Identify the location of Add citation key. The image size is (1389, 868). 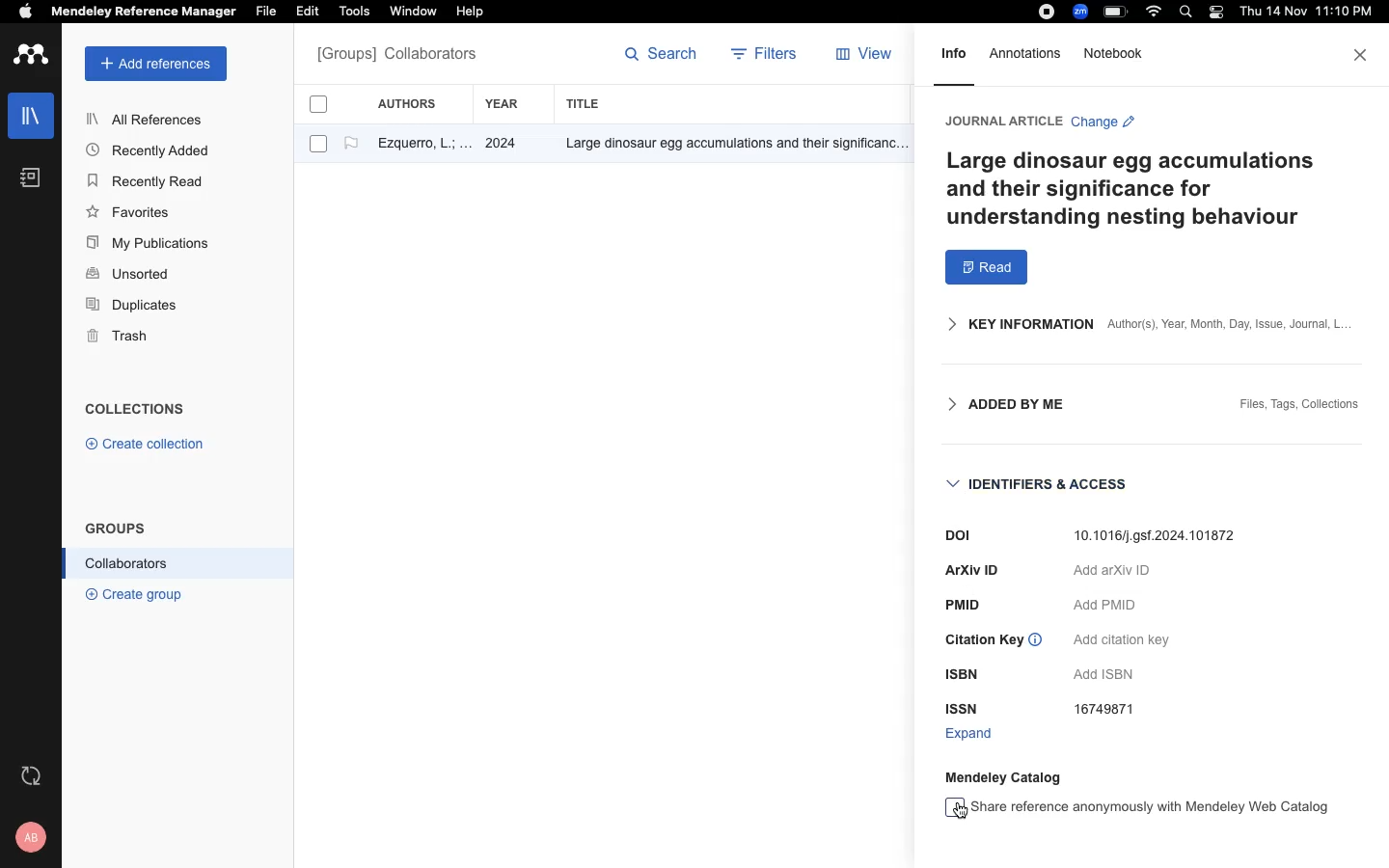
(1121, 641).